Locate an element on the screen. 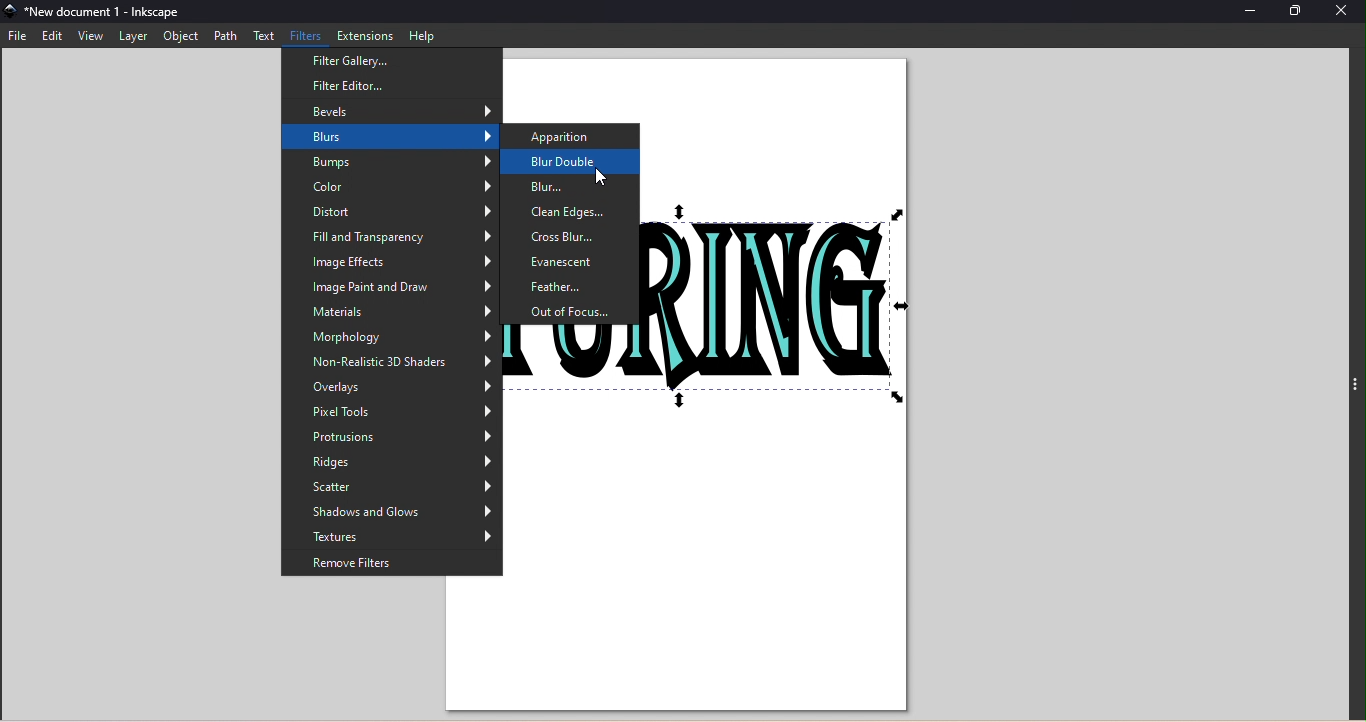  Layer is located at coordinates (133, 36).